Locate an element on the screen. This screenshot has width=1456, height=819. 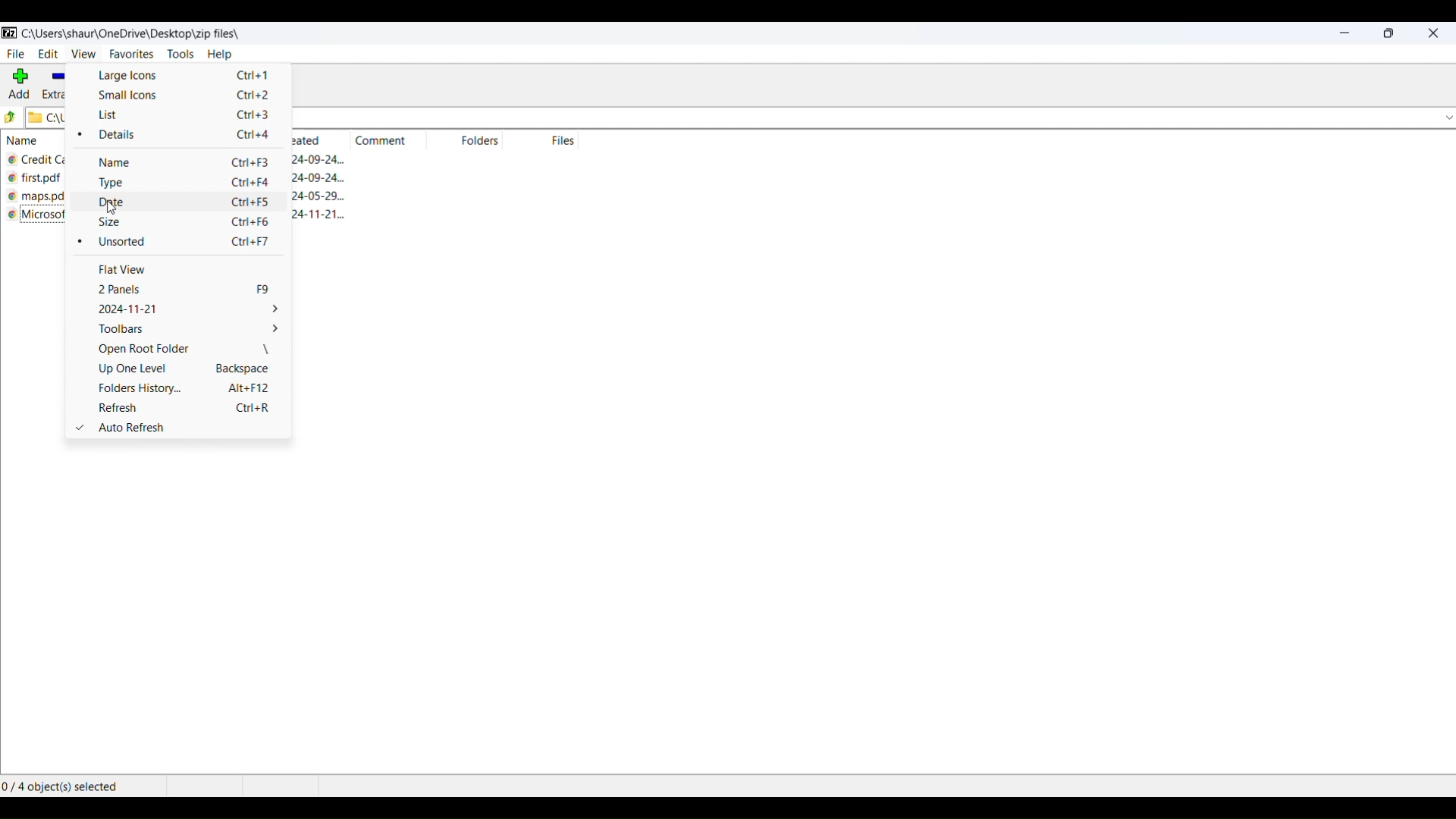
creation date is located at coordinates (328, 197).